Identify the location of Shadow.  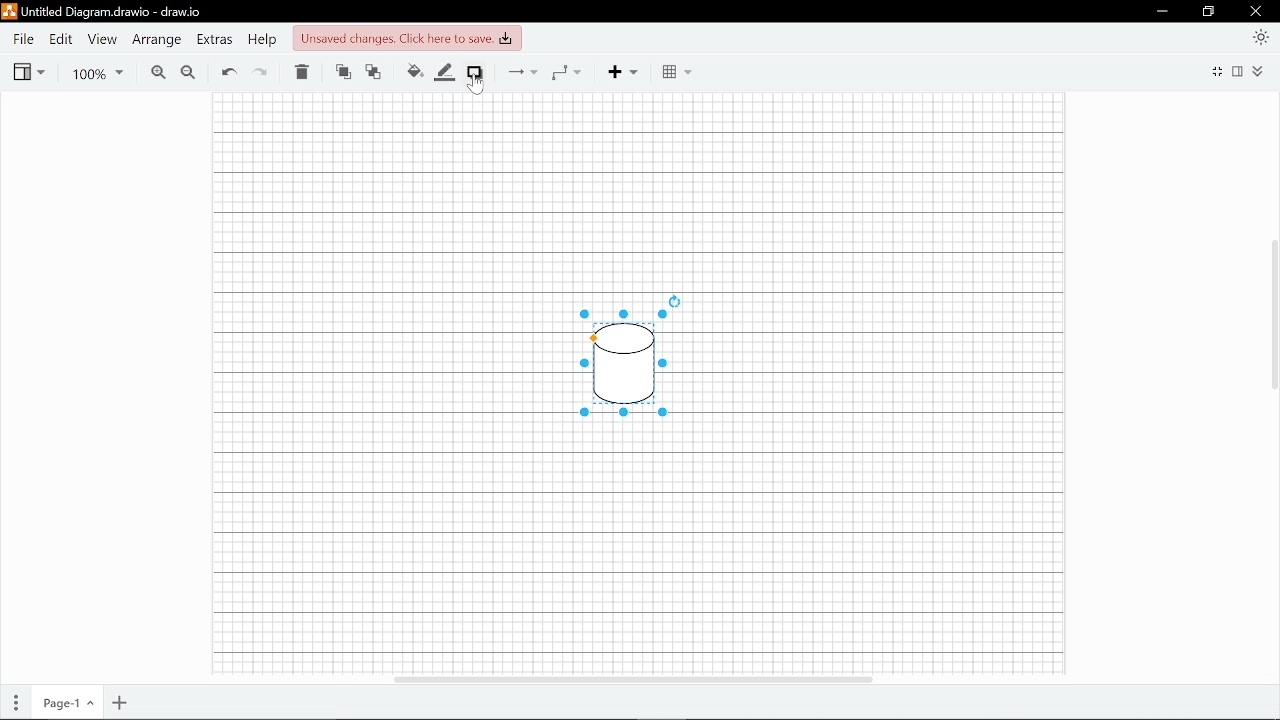
(474, 72).